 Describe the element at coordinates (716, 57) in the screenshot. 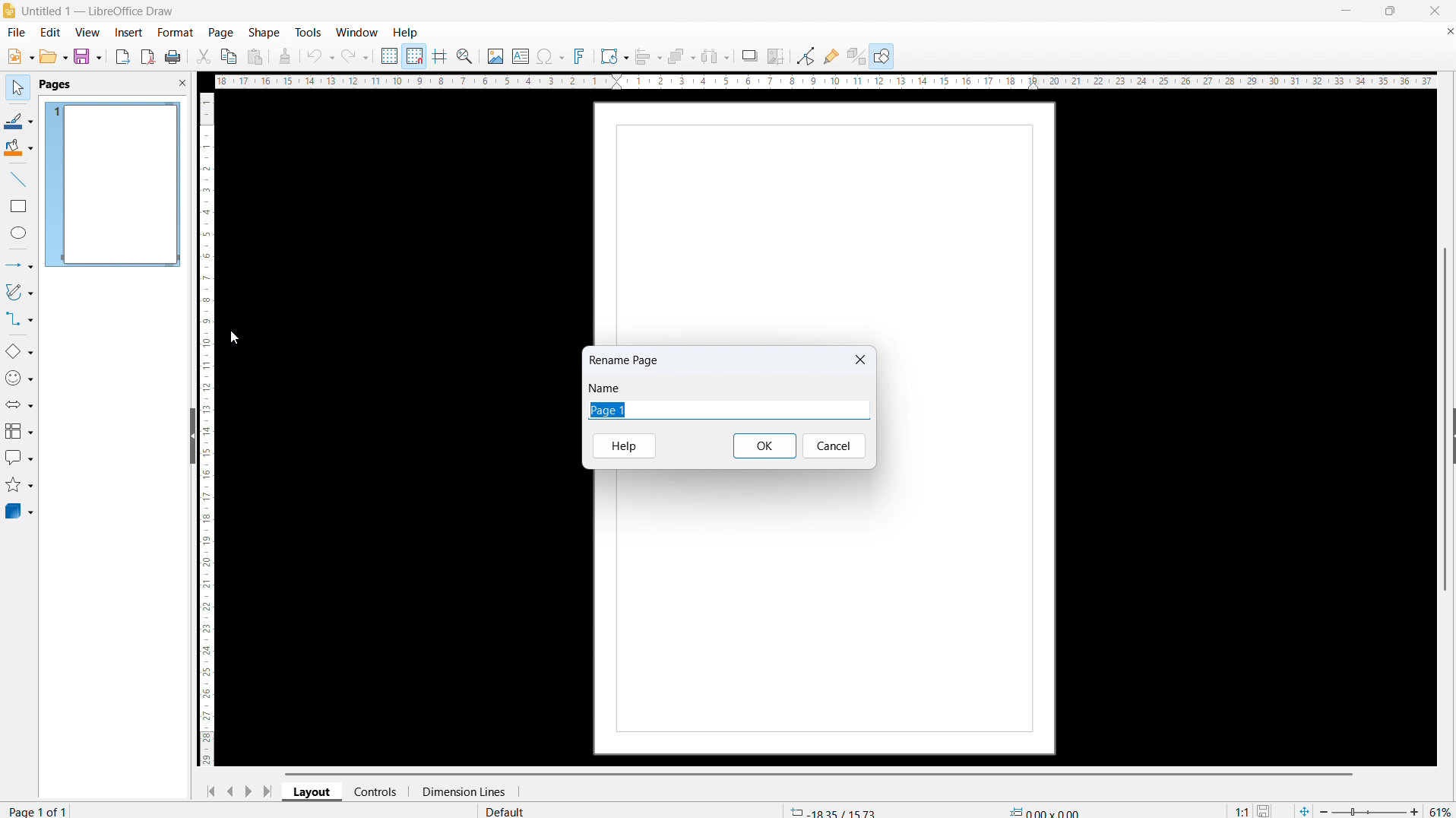

I see `select at least three objects to distribute` at that location.